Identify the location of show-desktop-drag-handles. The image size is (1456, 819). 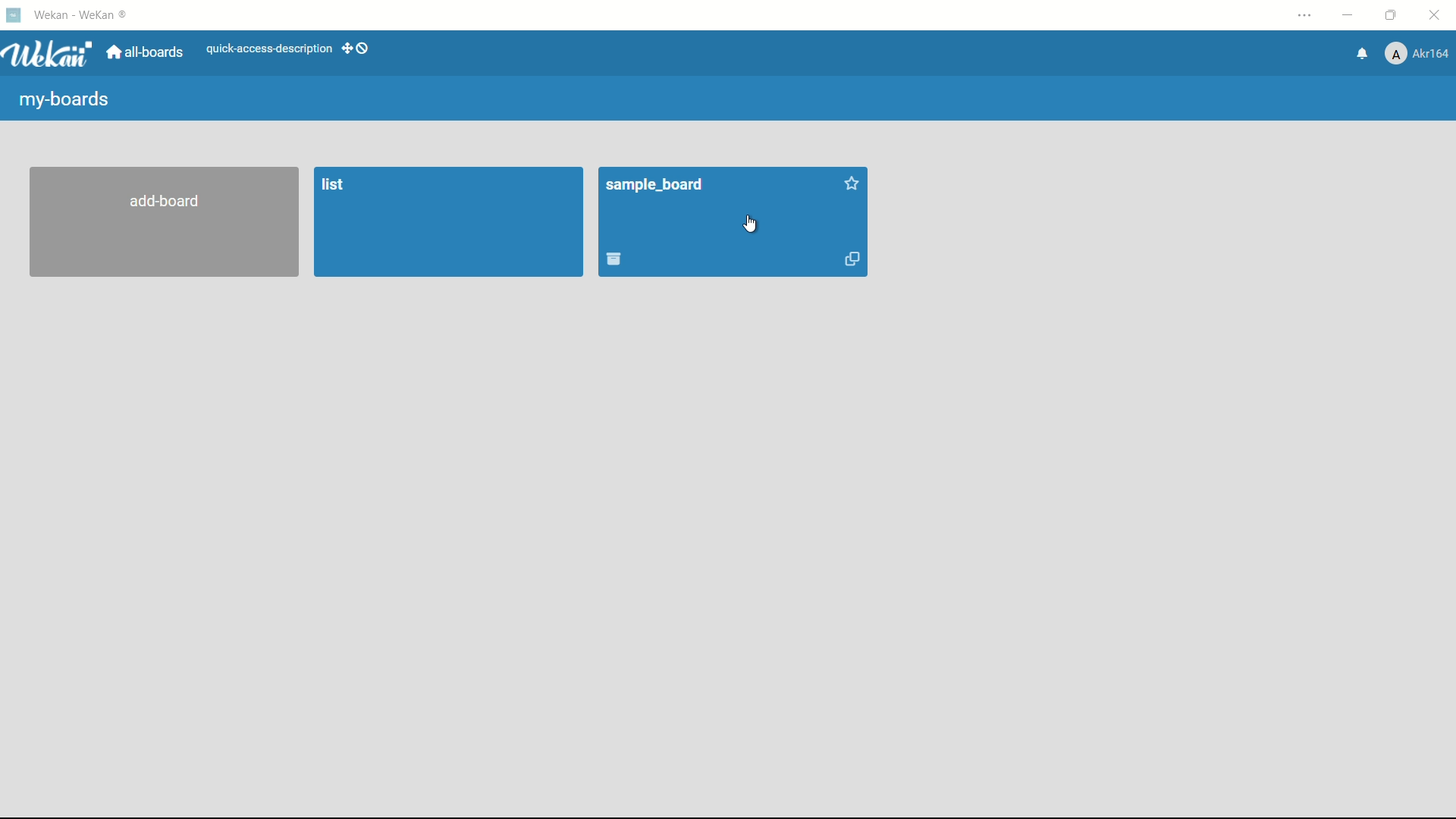
(357, 50).